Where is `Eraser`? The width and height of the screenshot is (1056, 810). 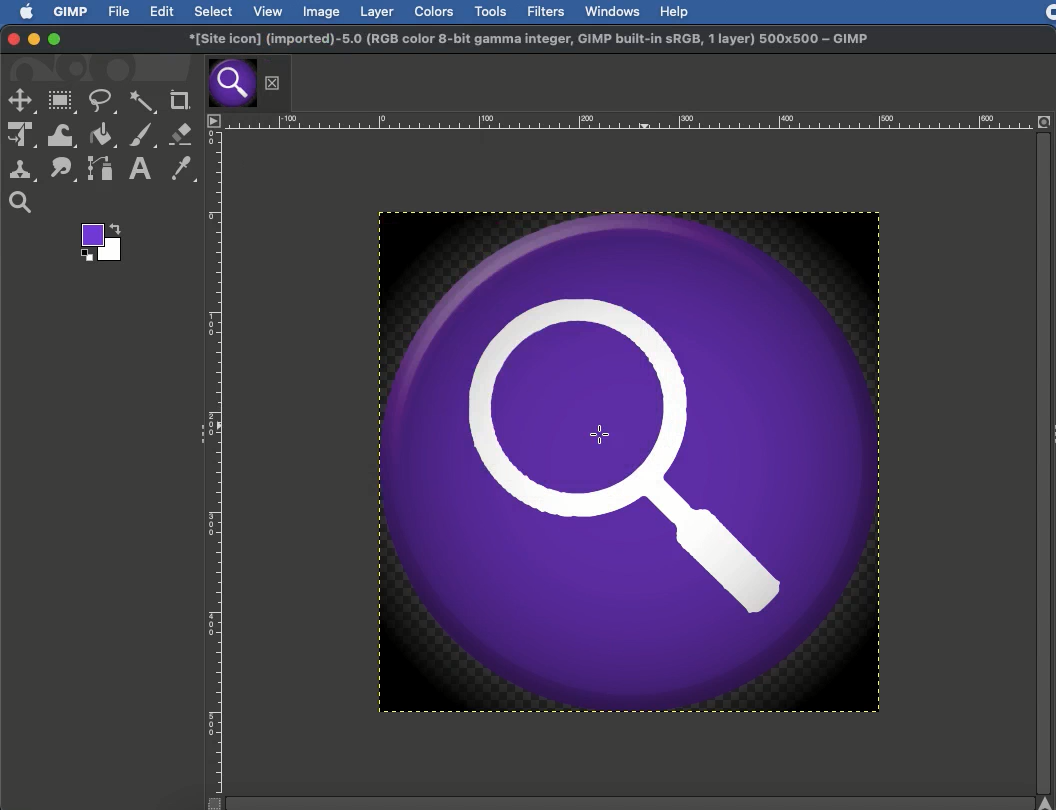 Eraser is located at coordinates (180, 133).